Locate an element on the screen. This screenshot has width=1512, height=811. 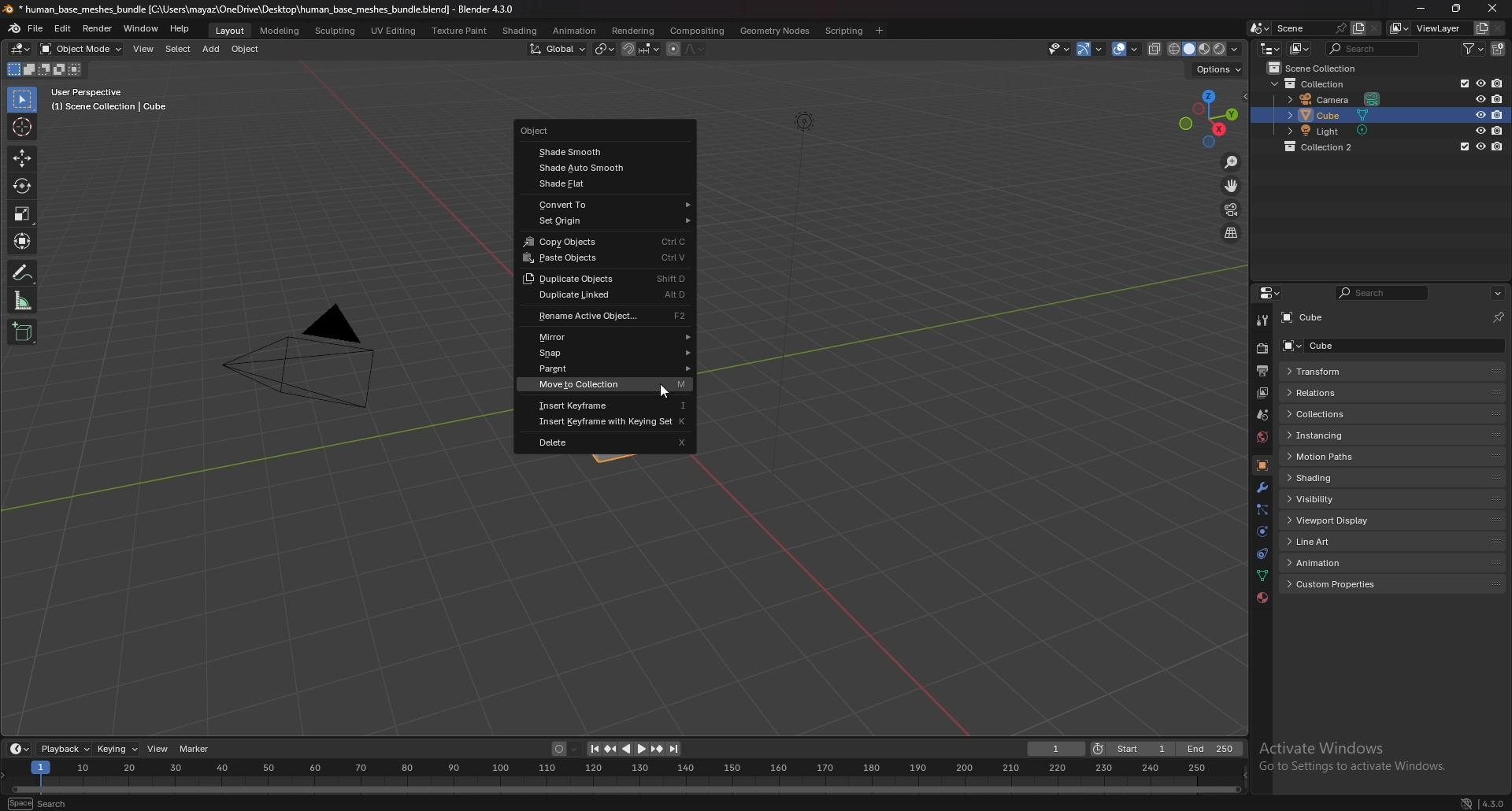
start is located at coordinates (1131, 749).